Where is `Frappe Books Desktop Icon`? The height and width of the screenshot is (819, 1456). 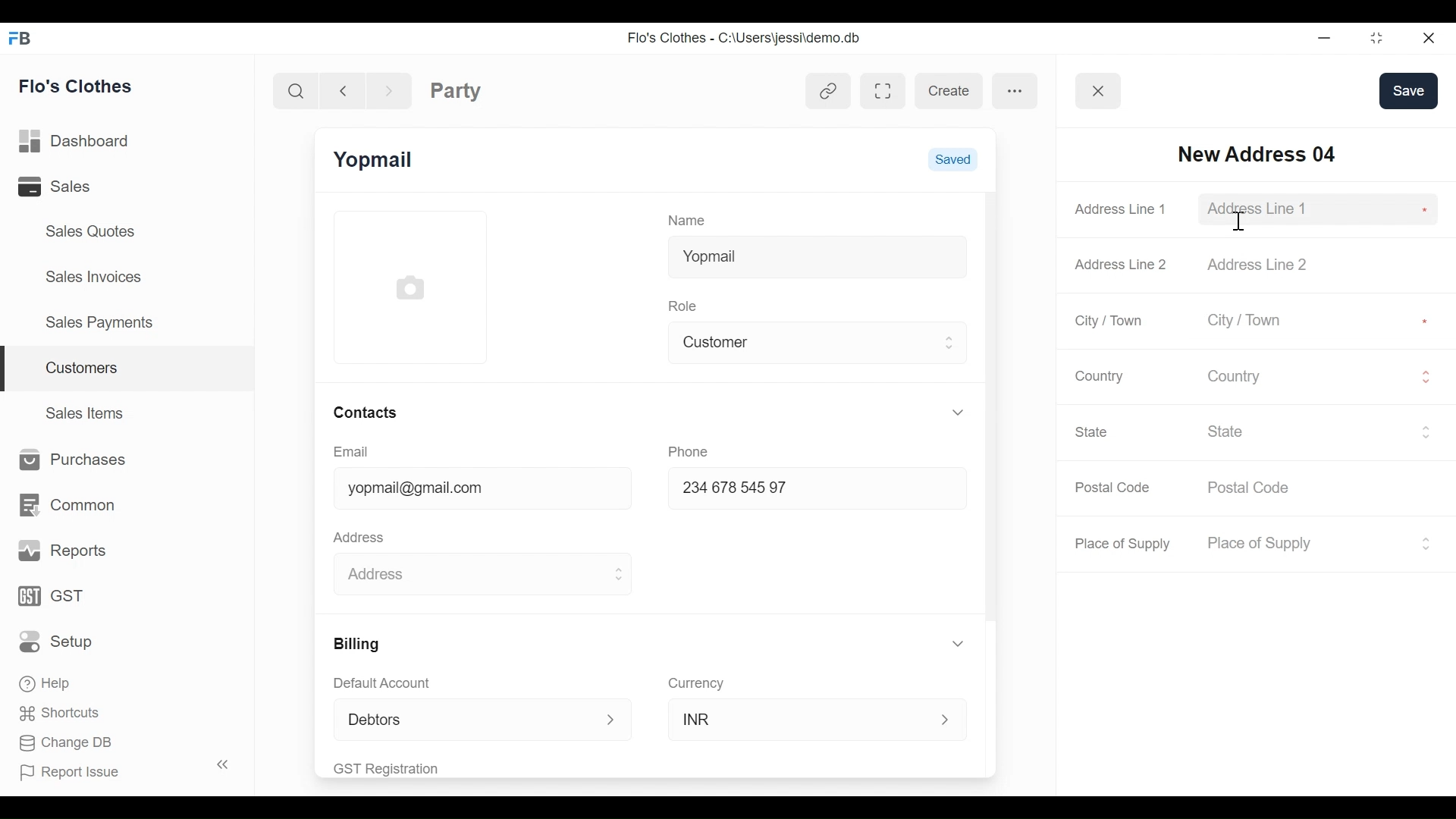 Frappe Books Desktop Icon is located at coordinates (18, 39).